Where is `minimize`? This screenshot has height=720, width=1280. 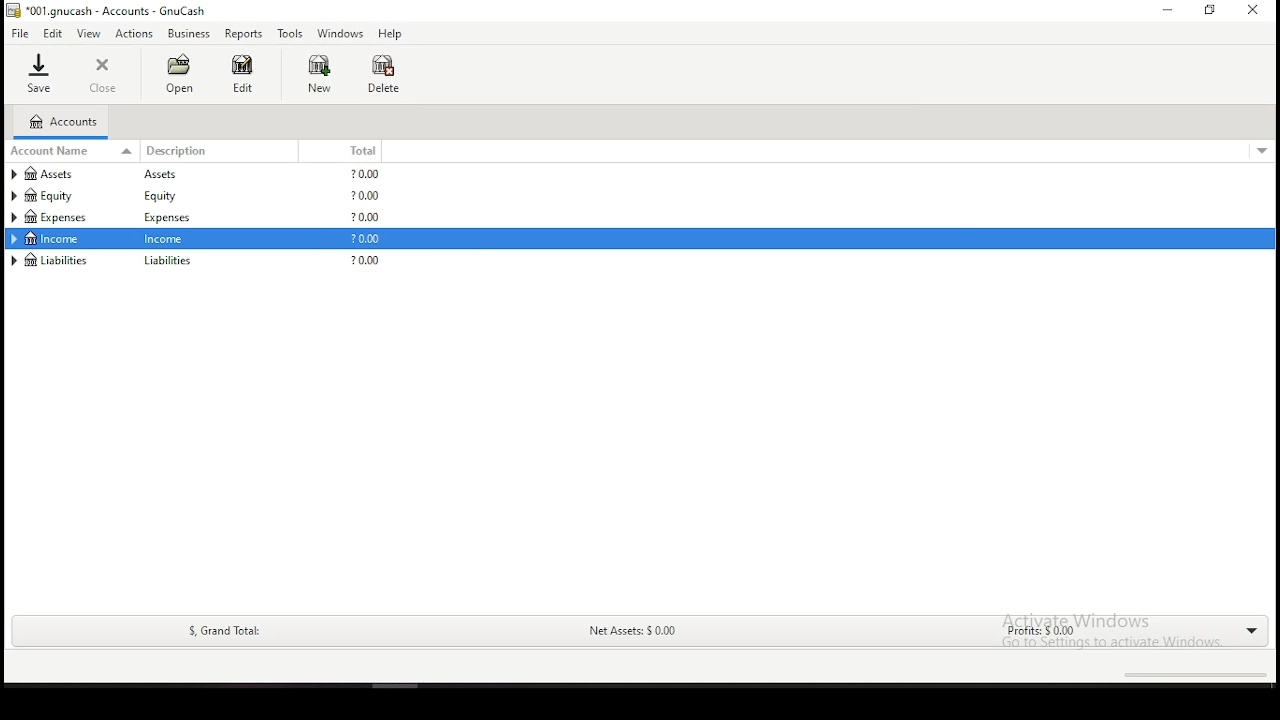
minimize is located at coordinates (1165, 10).